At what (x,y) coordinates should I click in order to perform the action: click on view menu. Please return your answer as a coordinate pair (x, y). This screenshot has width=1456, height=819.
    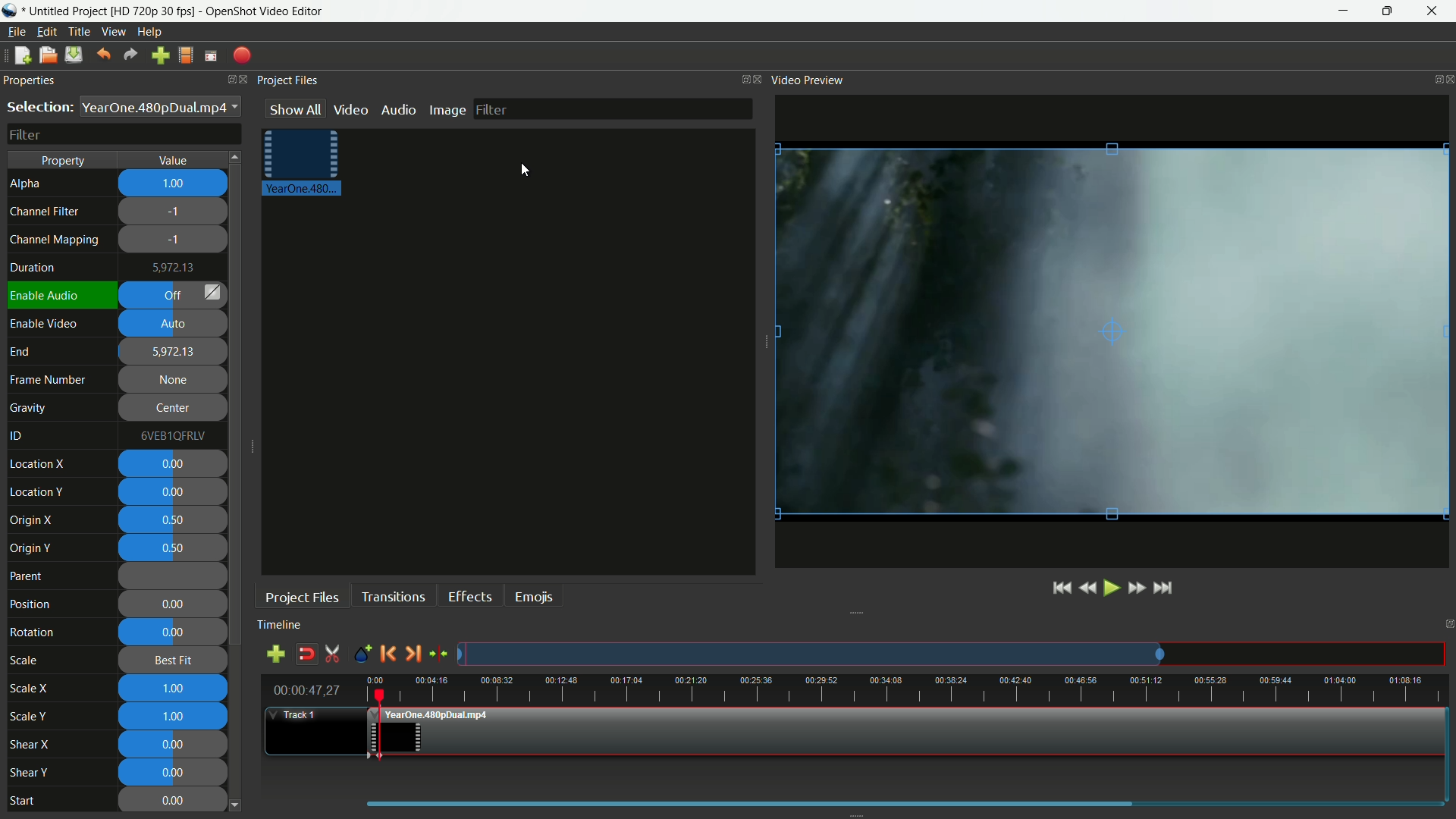
    Looking at the image, I should click on (113, 33).